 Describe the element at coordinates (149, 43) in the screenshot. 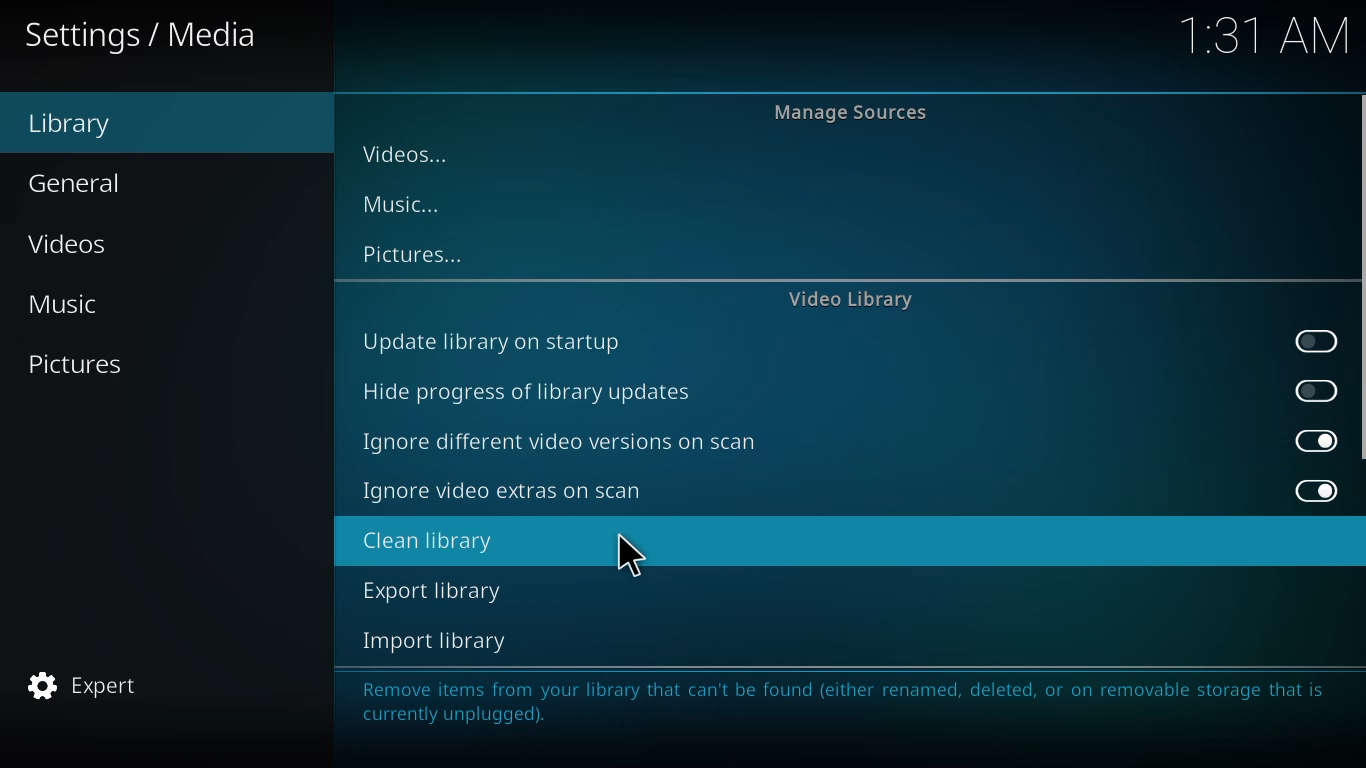

I see `Settings / Media` at that location.